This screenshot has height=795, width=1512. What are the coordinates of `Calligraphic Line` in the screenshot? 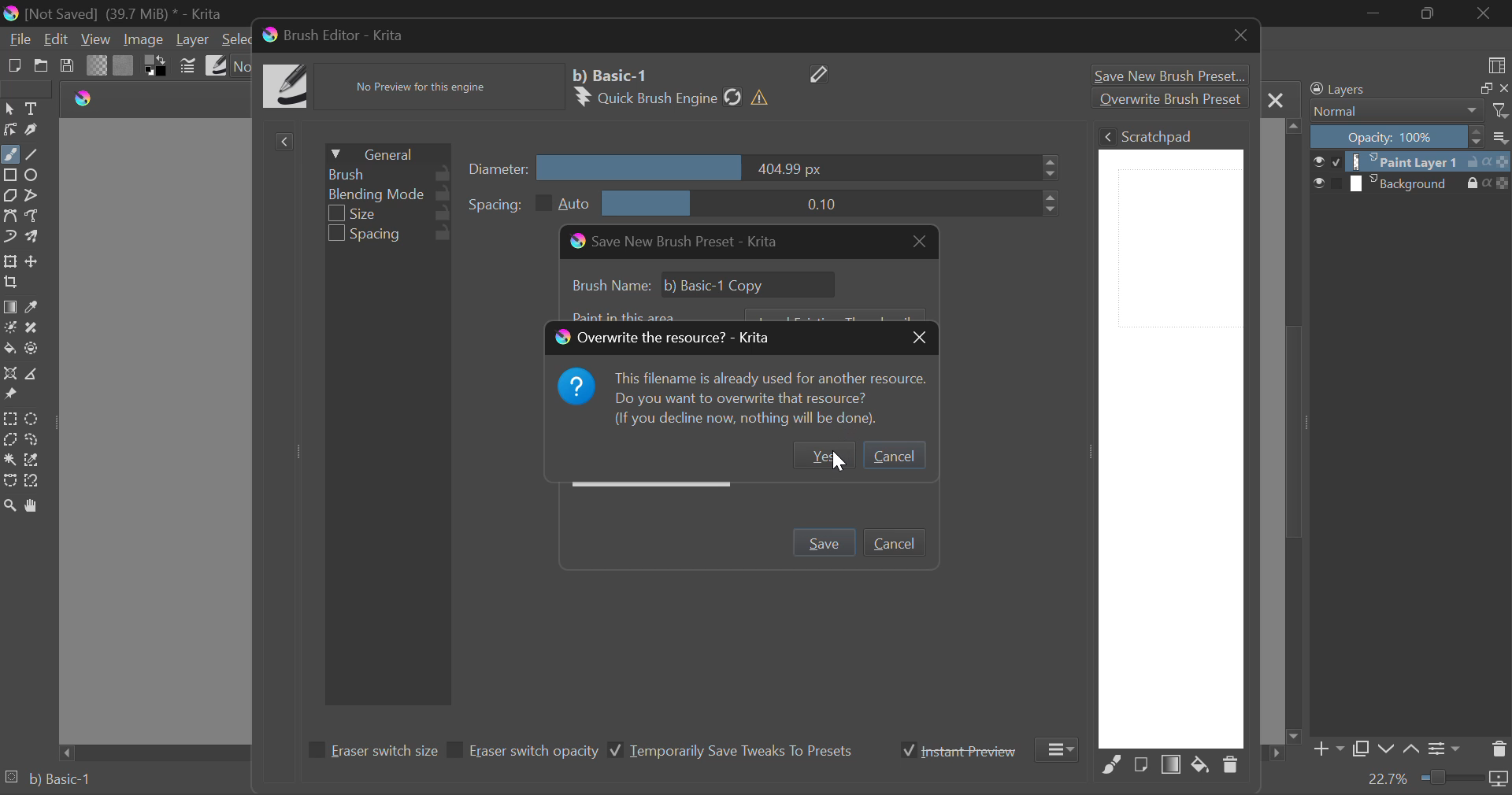 It's located at (30, 129).